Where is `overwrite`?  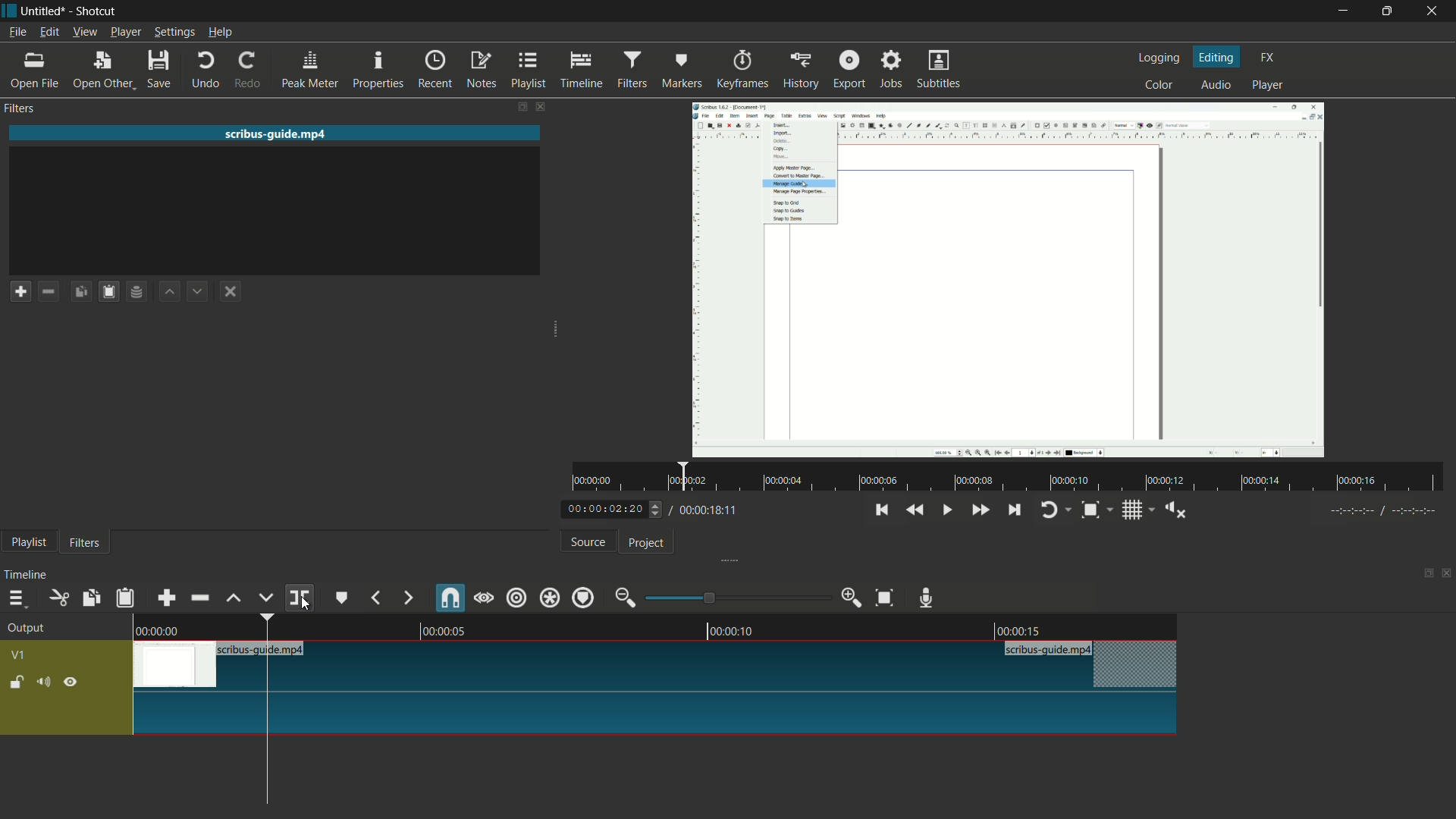
overwrite is located at coordinates (263, 598).